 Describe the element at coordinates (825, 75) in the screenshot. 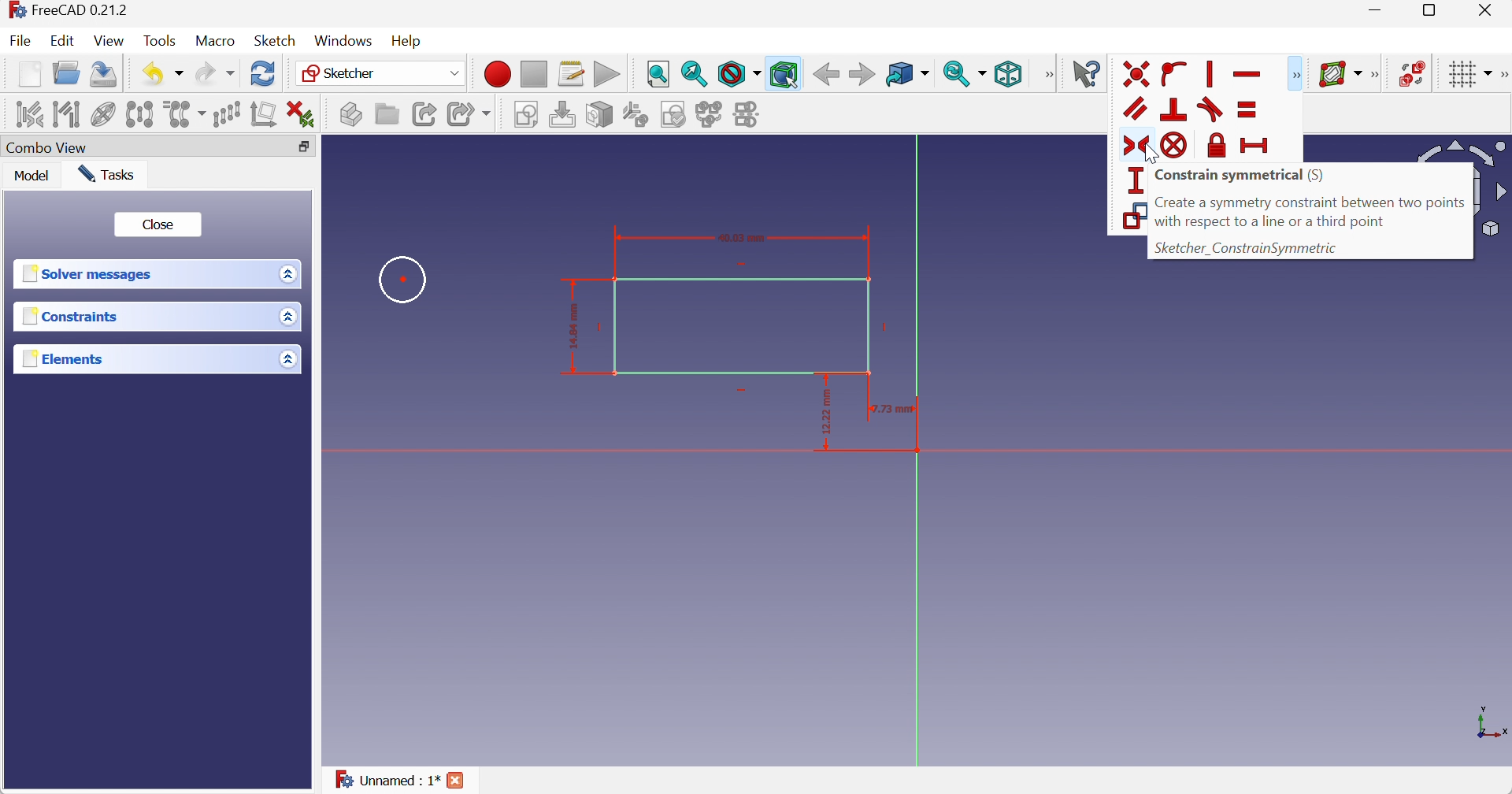

I see `Back` at that location.